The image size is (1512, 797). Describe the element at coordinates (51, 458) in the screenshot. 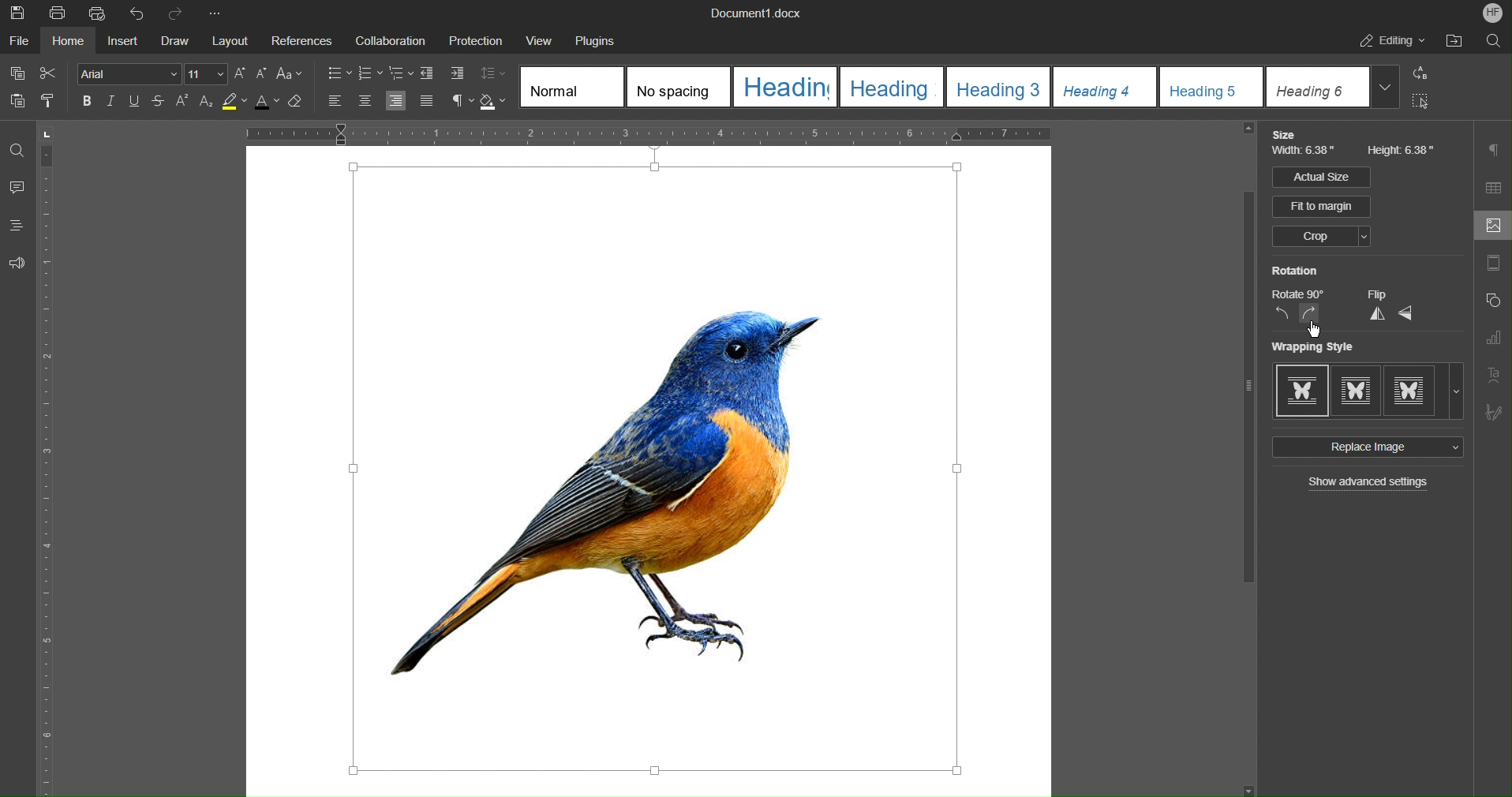

I see `Vertical Ruler` at that location.